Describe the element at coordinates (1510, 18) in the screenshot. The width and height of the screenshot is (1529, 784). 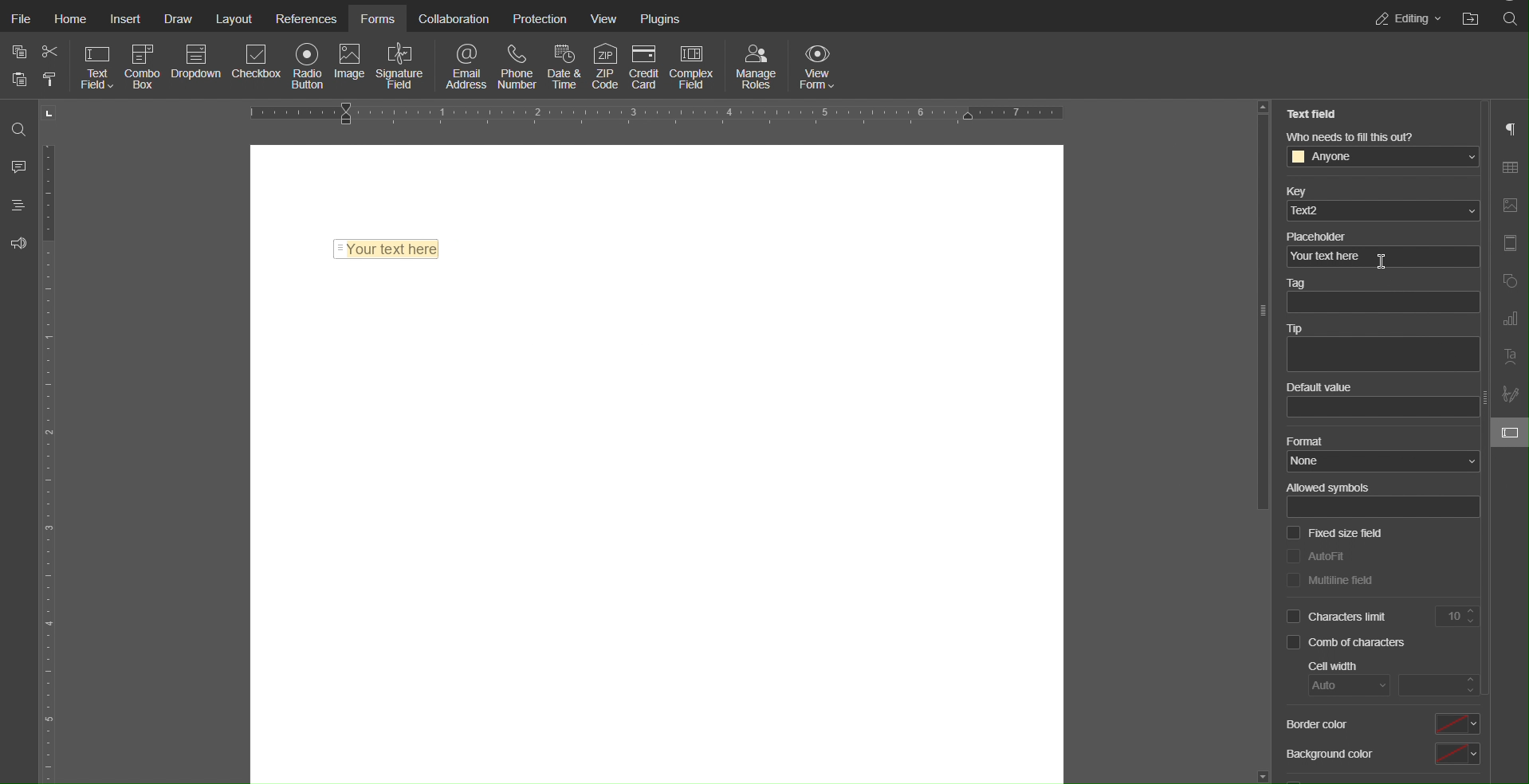
I see `Search` at that location.